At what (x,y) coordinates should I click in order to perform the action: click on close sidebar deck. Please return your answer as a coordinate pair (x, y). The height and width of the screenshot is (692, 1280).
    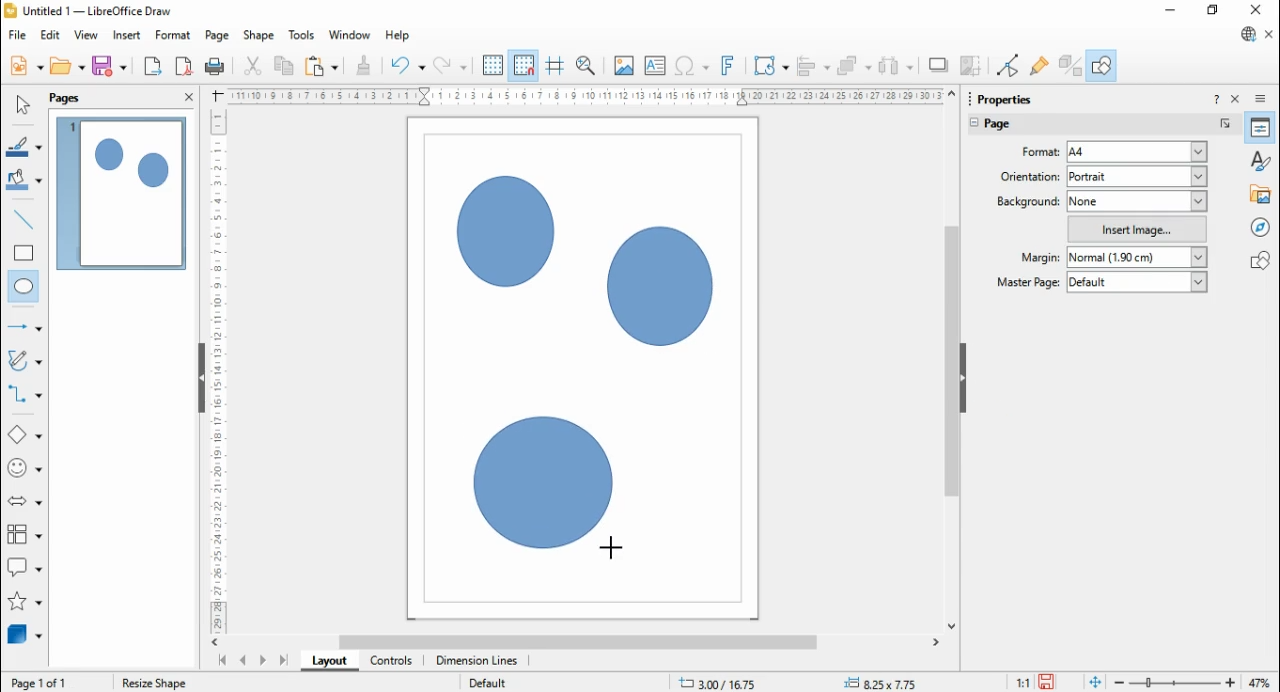
    Looking at the image, I should click on (1237, 98).